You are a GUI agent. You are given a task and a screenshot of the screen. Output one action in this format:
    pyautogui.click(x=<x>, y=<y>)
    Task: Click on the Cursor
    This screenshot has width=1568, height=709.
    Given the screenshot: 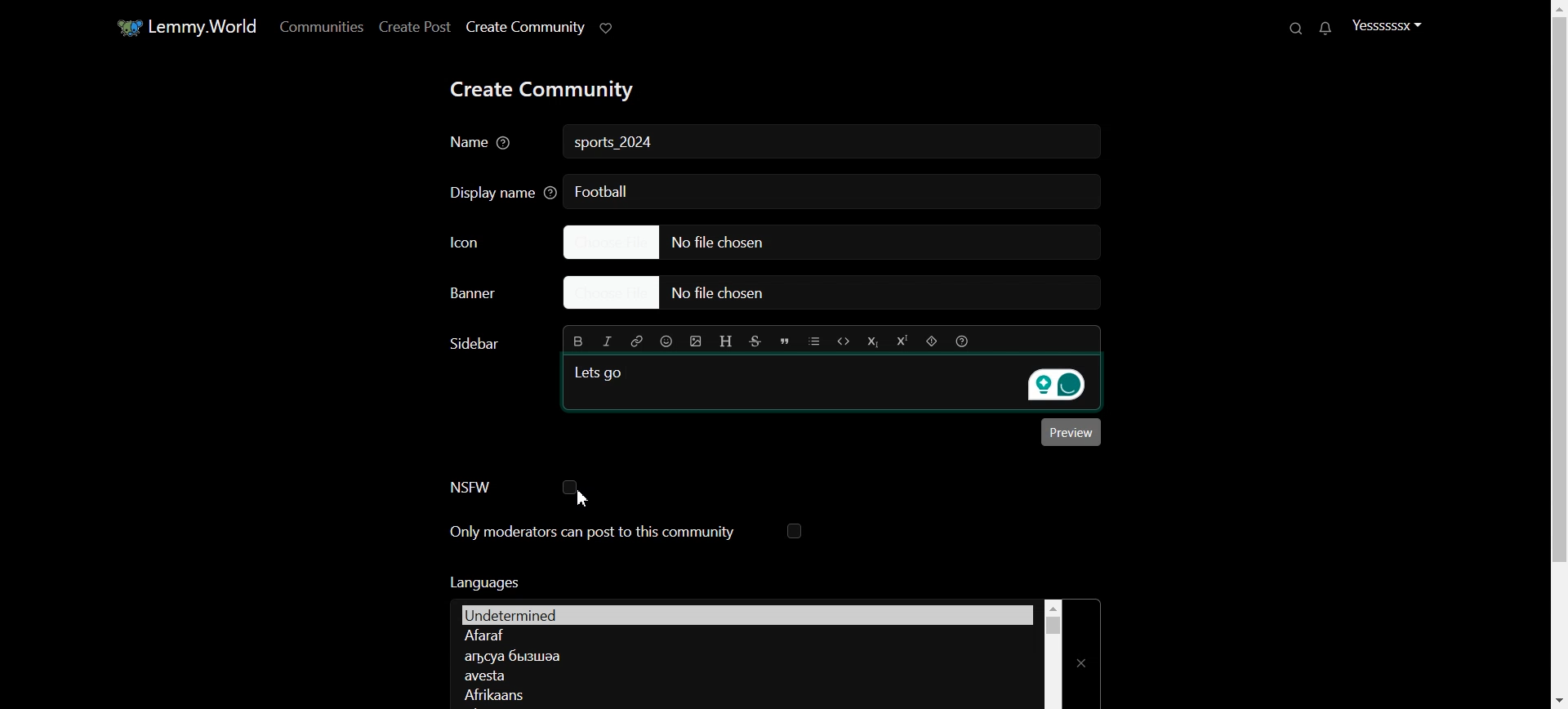 What is the action you would take?
    pyautogui.click(x=583, y=498)
    